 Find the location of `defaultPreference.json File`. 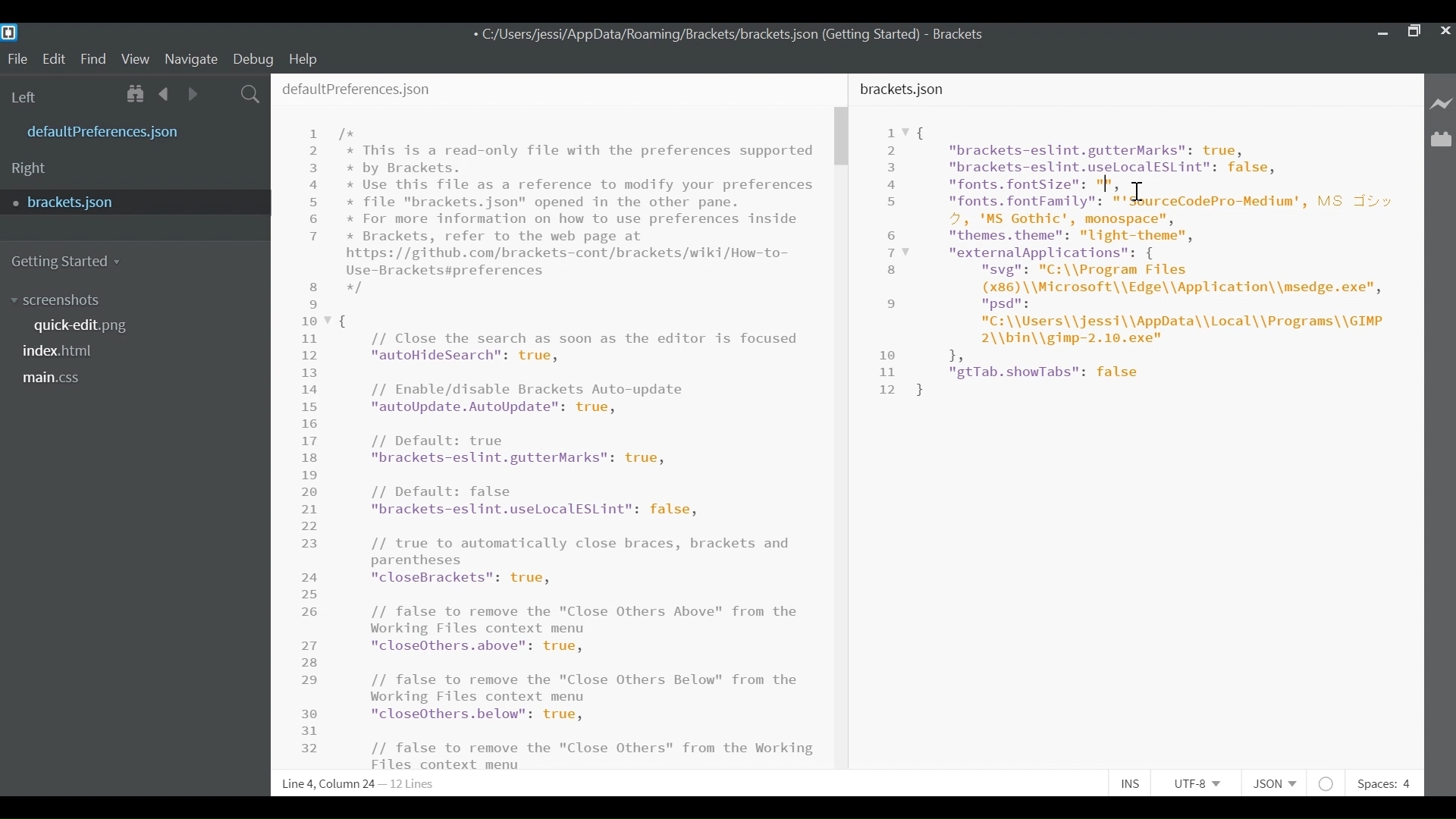

defaultPreference.json File is located at coordinates (108, 133).